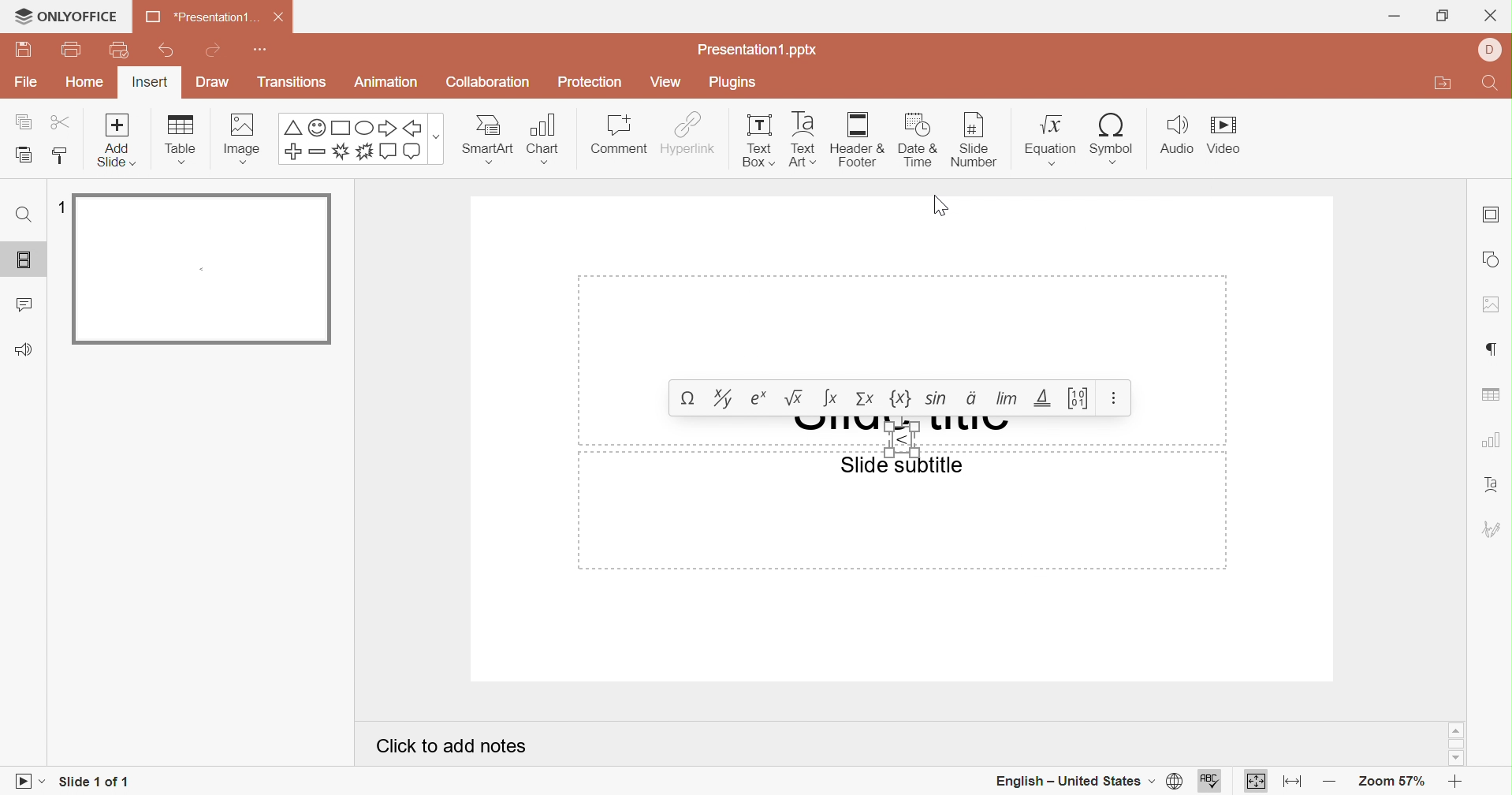  I want to click on Find, so click(1494, 84).